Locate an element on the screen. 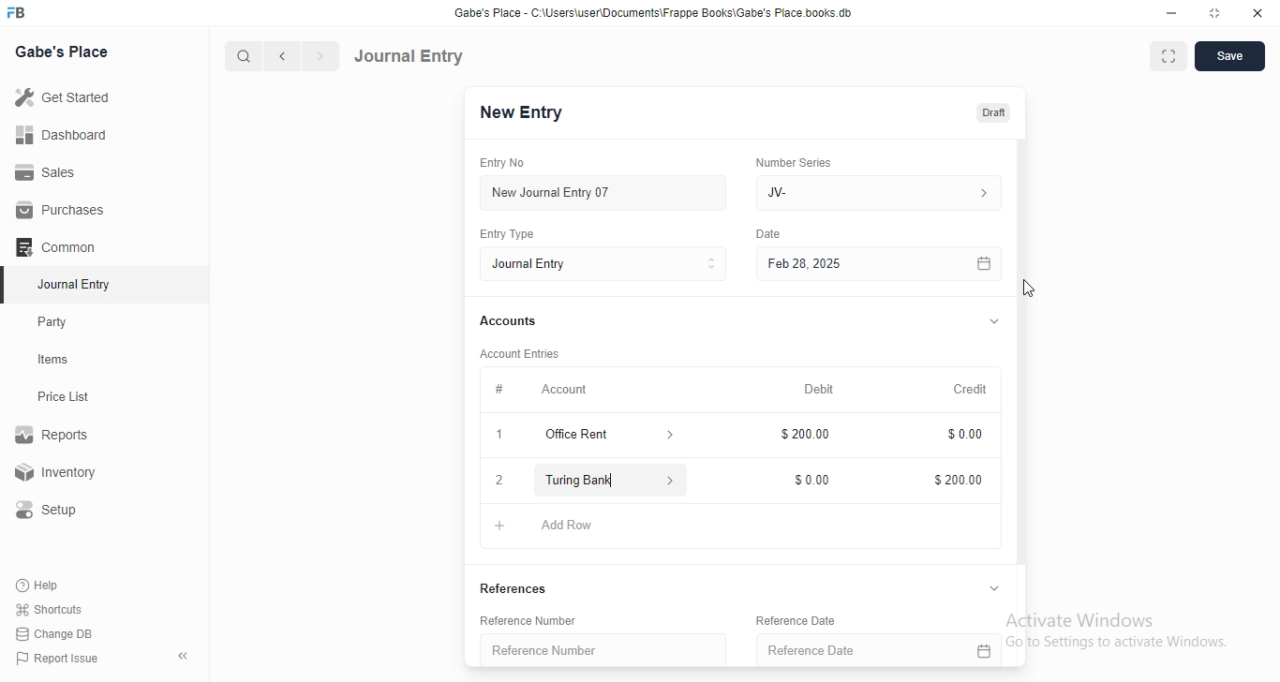 The image size is (1280, 682). Draft is located at coordinates (993, 113).